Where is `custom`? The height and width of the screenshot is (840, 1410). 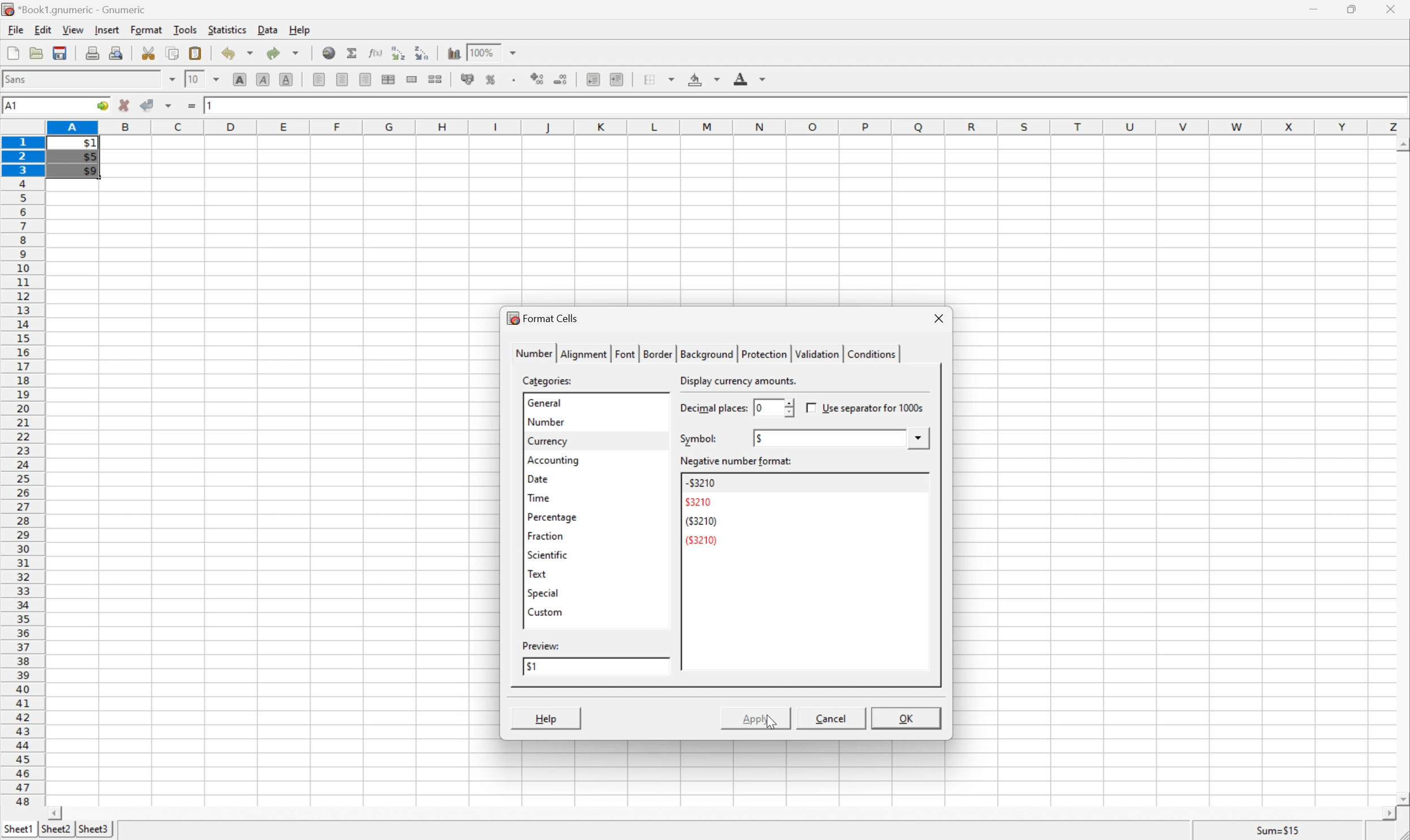
custom is located at coordinates (545, 611).